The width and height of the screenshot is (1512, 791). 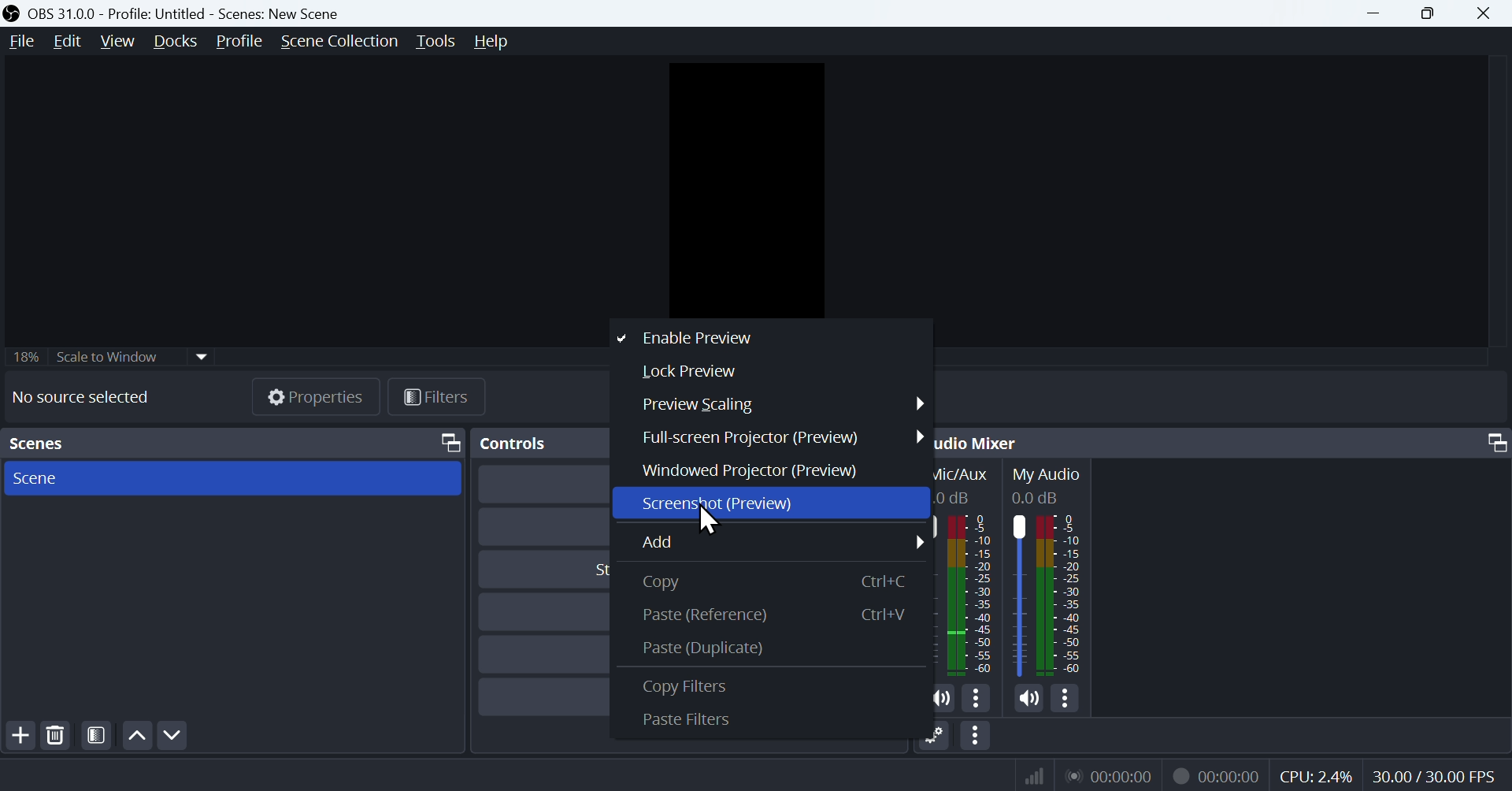 What do you see at coordinates (1025, 698) in the screenshot?
I see `Mute/Unmute` at bounding box center [1025, 698].